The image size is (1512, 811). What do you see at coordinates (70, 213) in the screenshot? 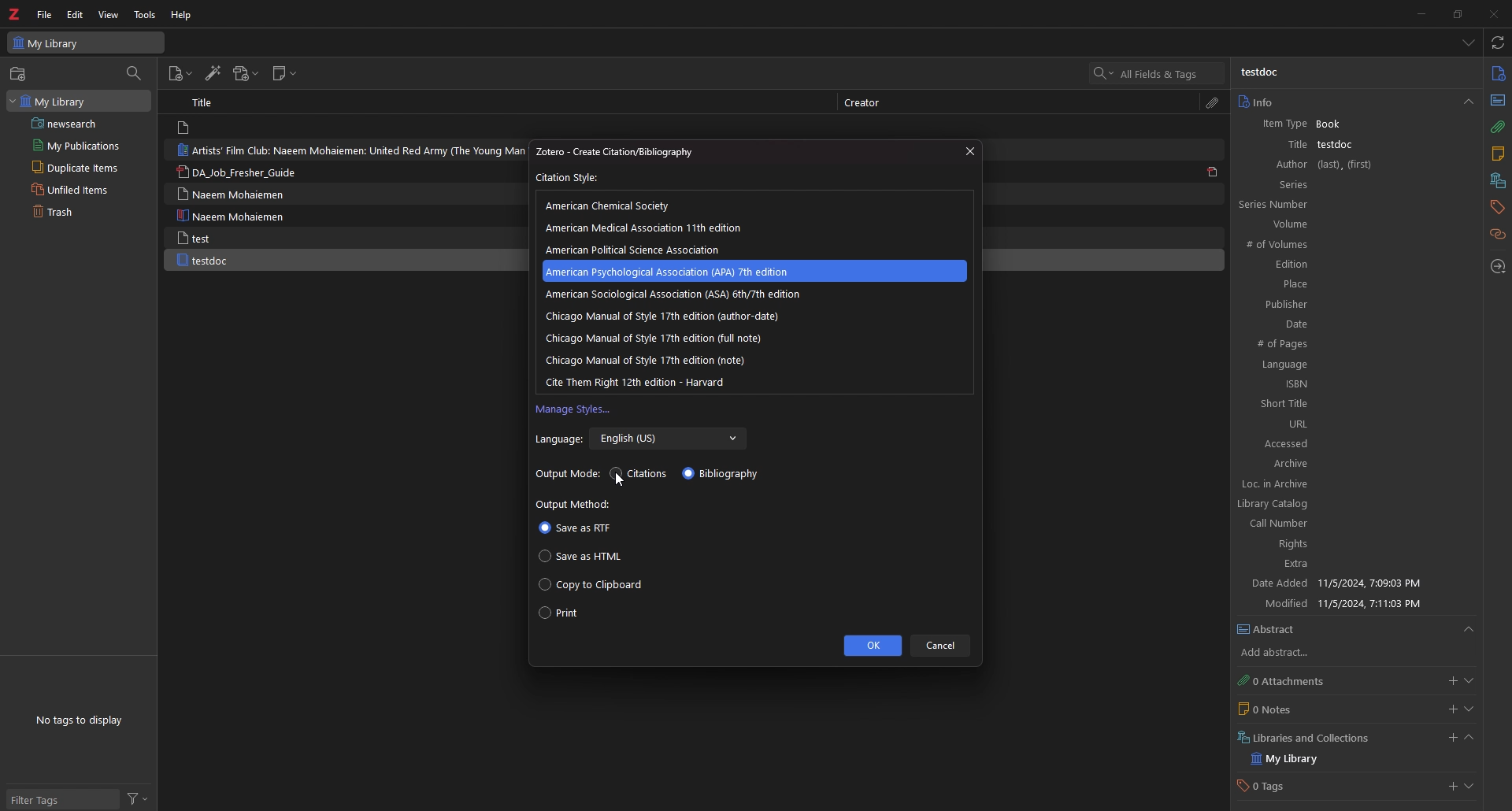
I see `trash` at bounding box center [70, 213].